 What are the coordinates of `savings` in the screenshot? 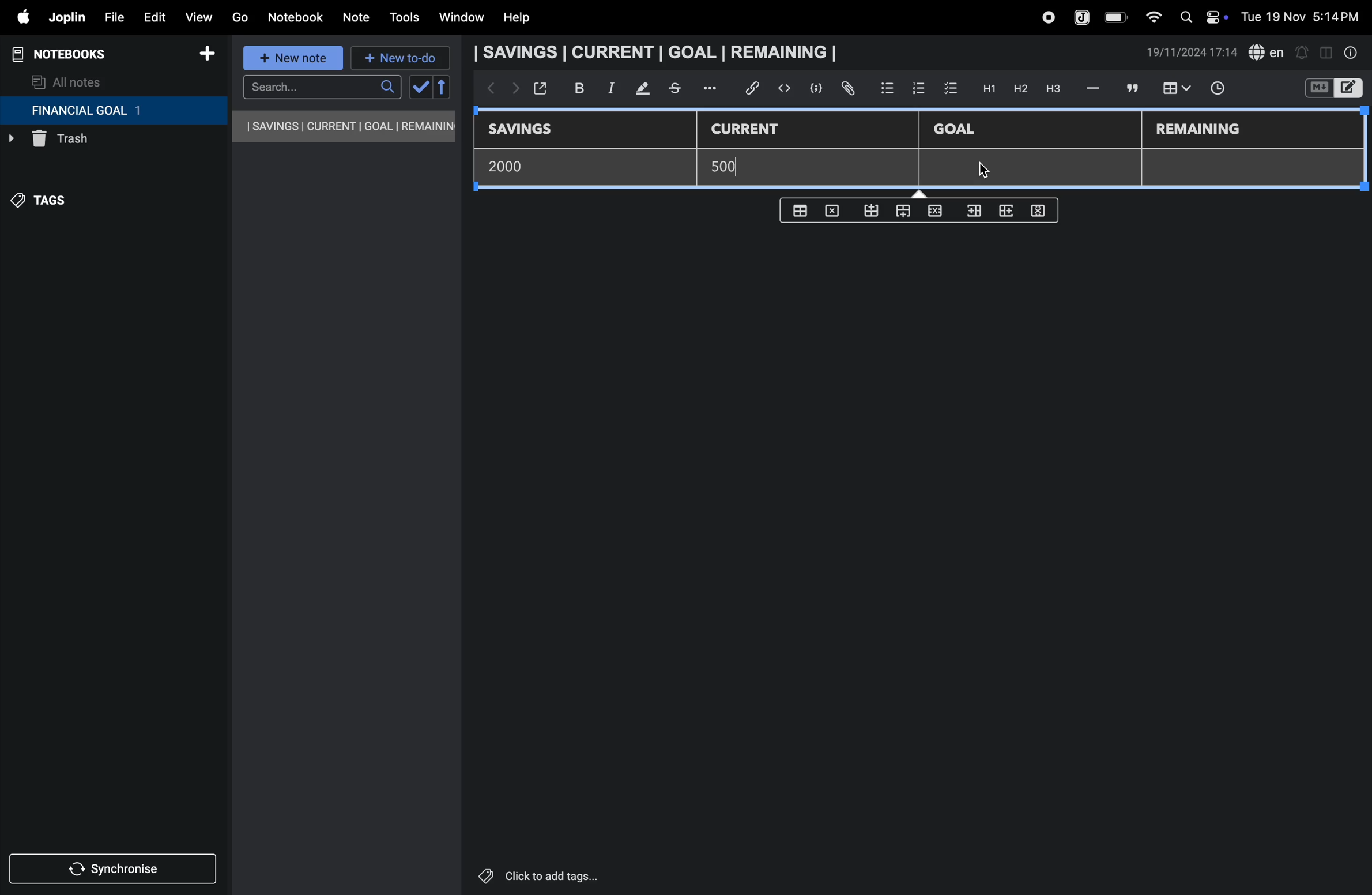 It's located at (529, 130).